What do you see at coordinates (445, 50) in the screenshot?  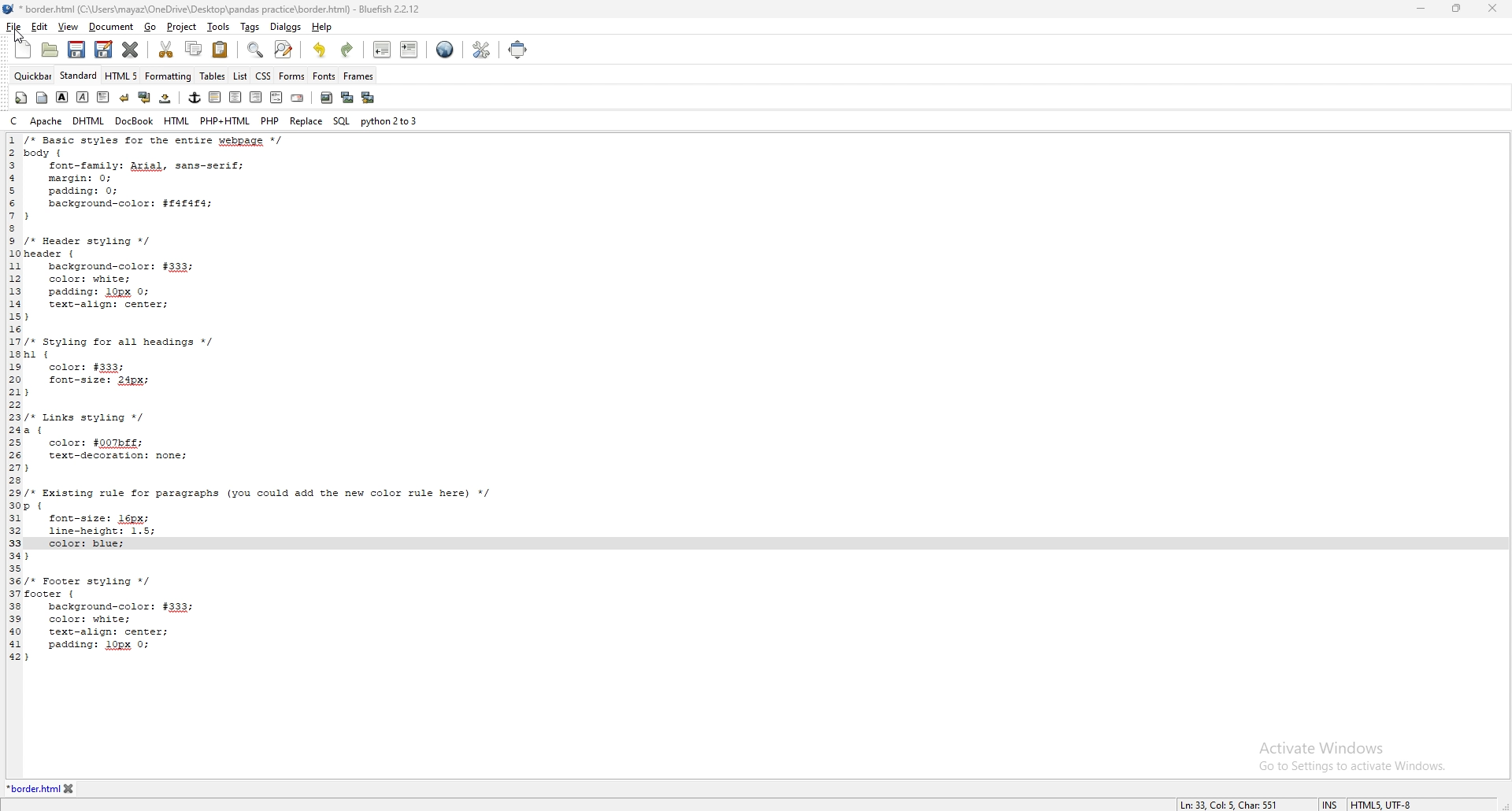 I see `preview in browser` at bounding box center [445, 50].